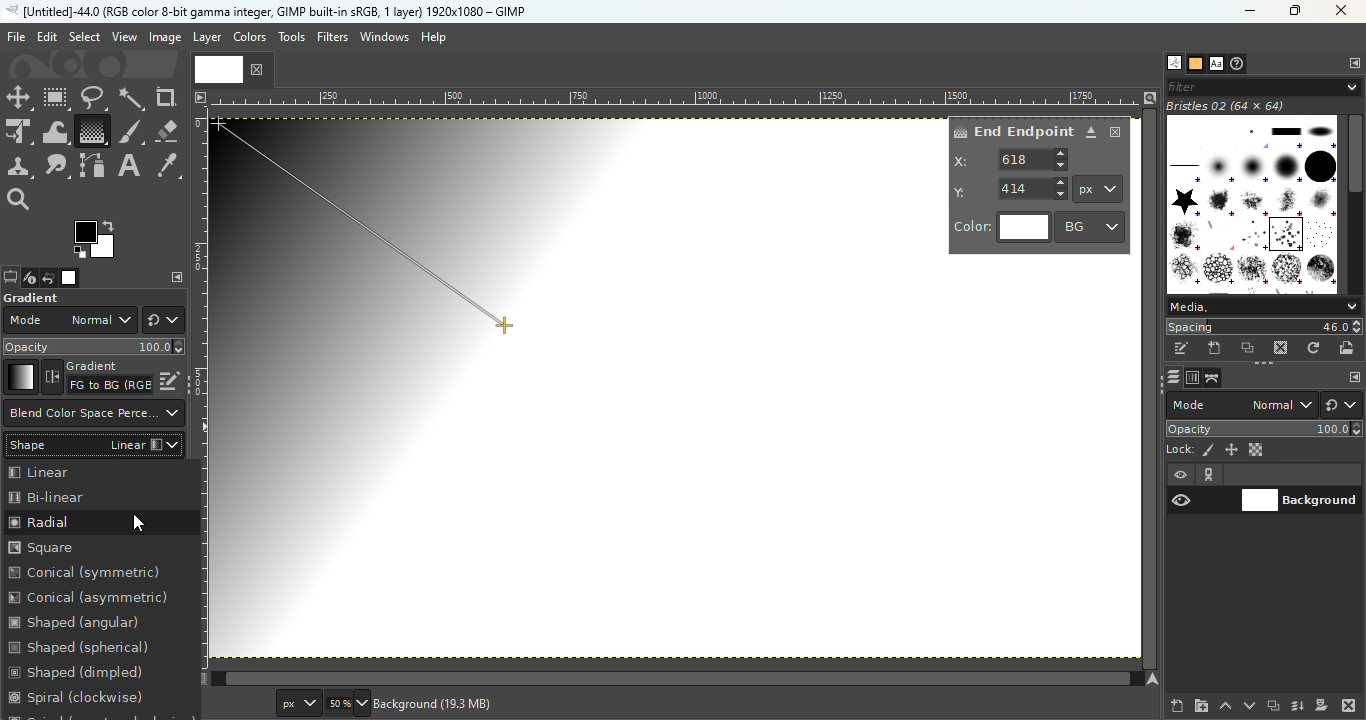  What do you see at coordinates (1282, 347) in the screenshot?
I see `Delete this brush` at bounding box center [1282, 347].